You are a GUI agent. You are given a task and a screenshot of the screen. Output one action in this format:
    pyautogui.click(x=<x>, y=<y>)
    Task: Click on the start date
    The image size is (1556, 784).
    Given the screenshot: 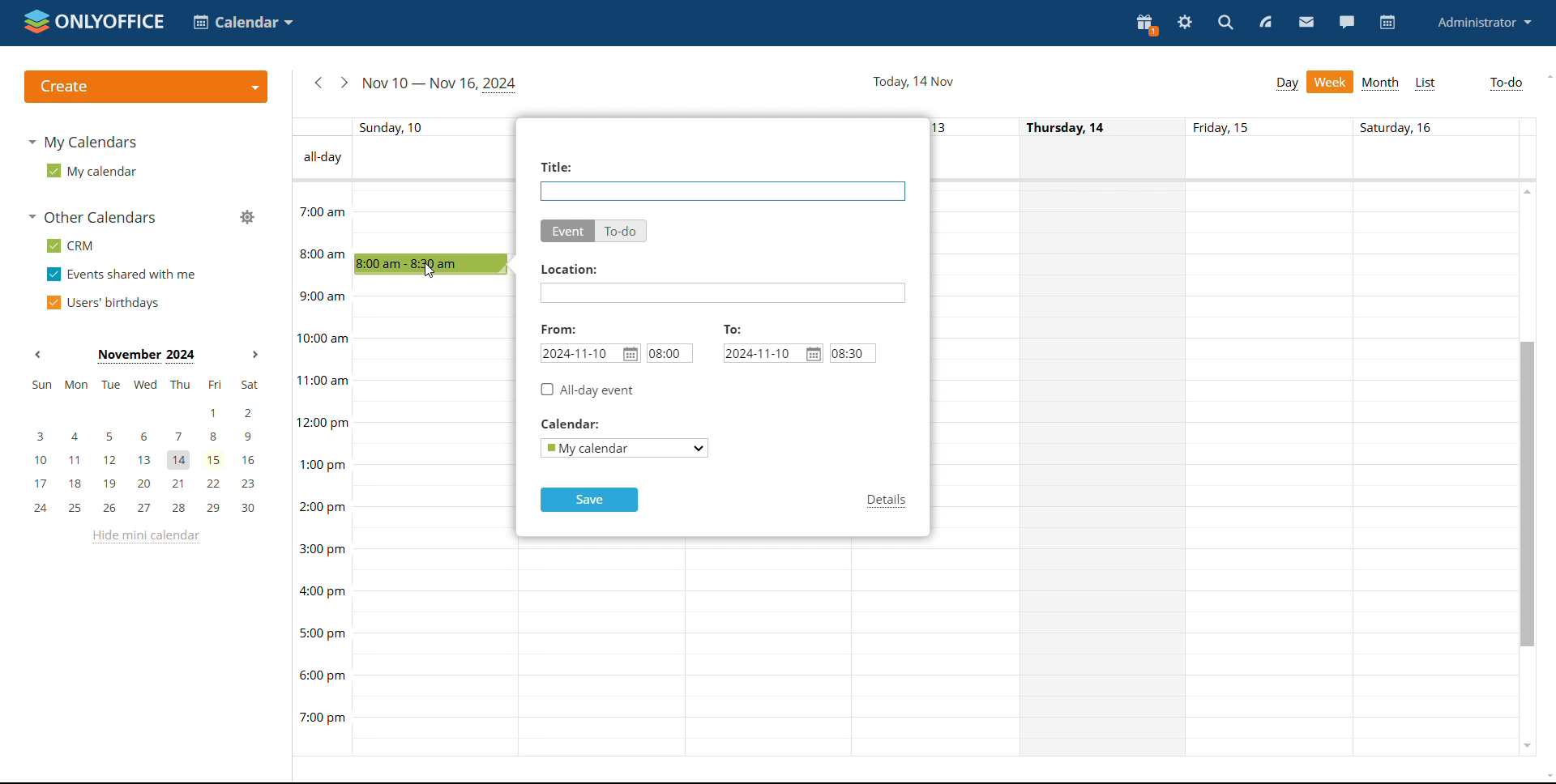 What is the action you would take?
    pyautogui.click(x=591, y=353)
    